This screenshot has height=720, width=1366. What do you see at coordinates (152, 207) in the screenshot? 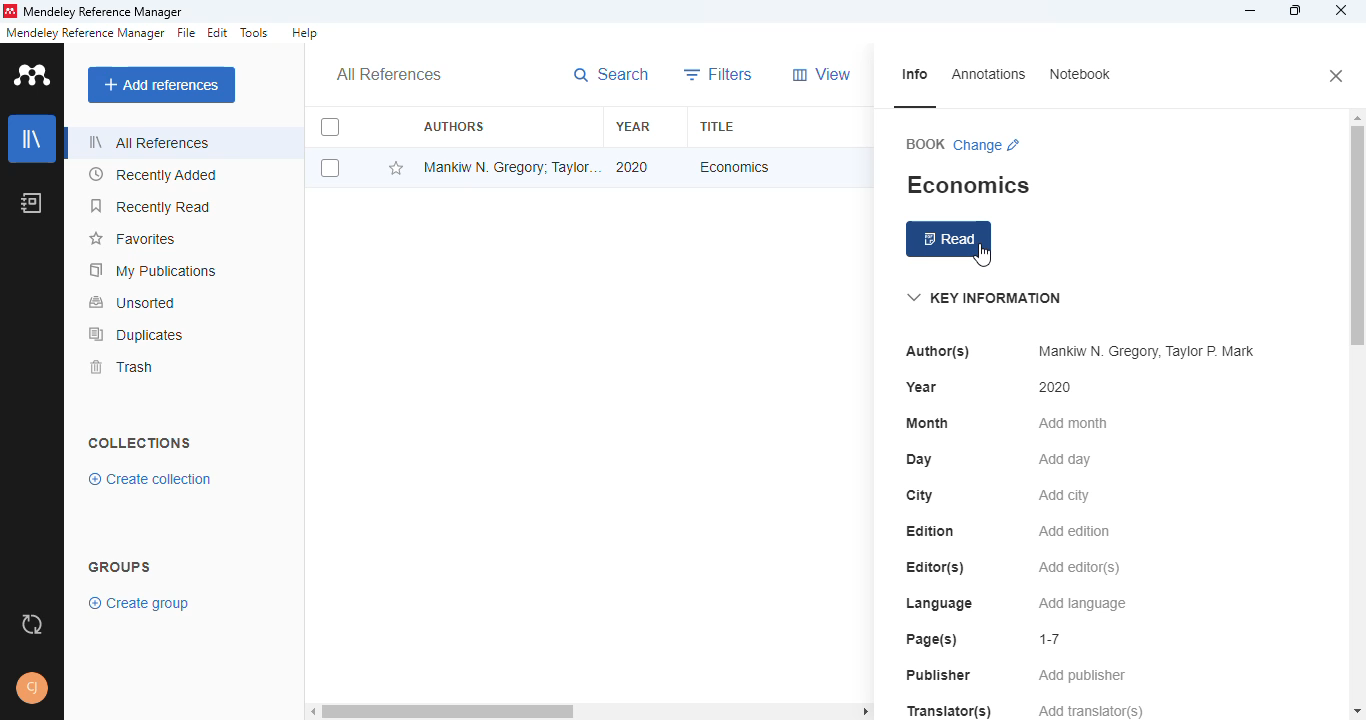
I see `recently read` at bounding box center [152, 207].